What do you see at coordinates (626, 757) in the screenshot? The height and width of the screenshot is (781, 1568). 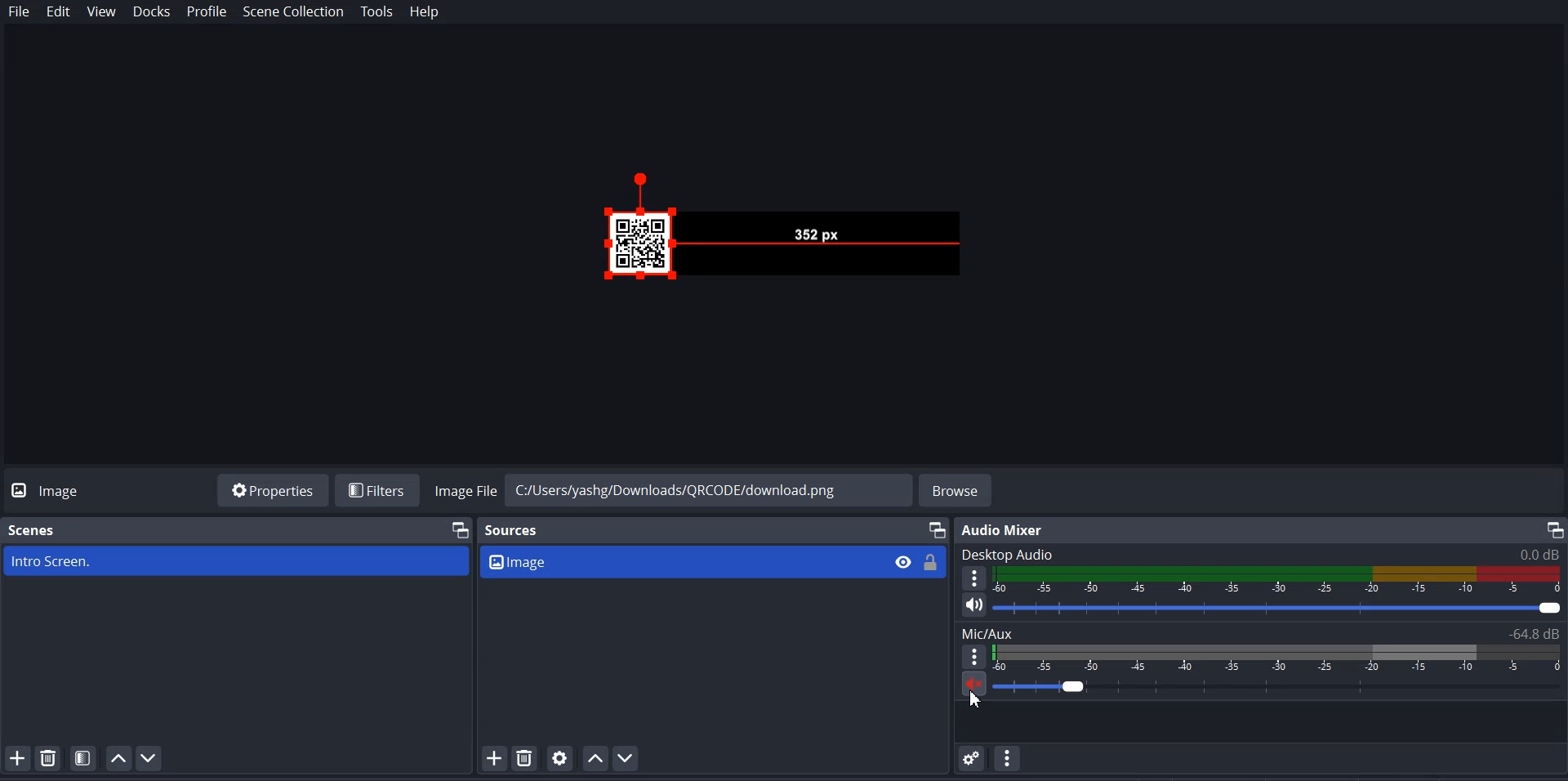 I see `Move Source Down` at bounding box center [626, 757].